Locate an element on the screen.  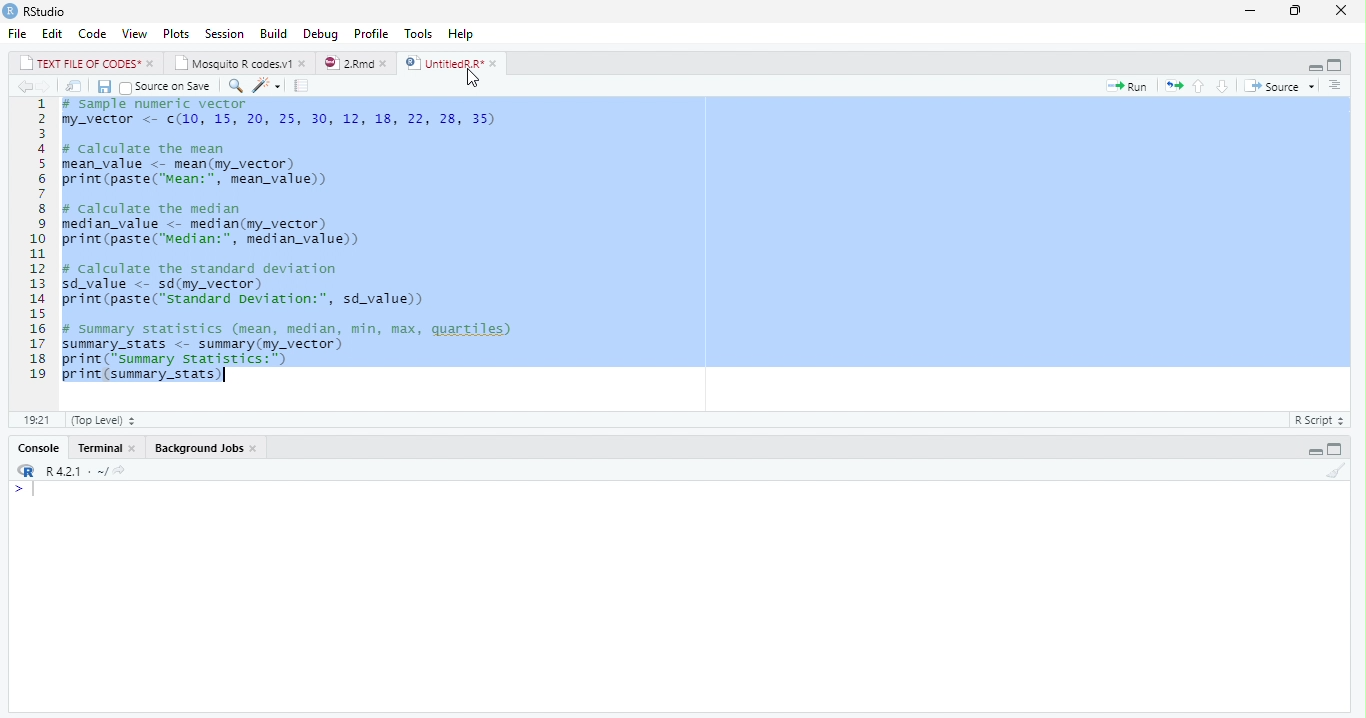
find and replace is located at coordinates (238, 87).